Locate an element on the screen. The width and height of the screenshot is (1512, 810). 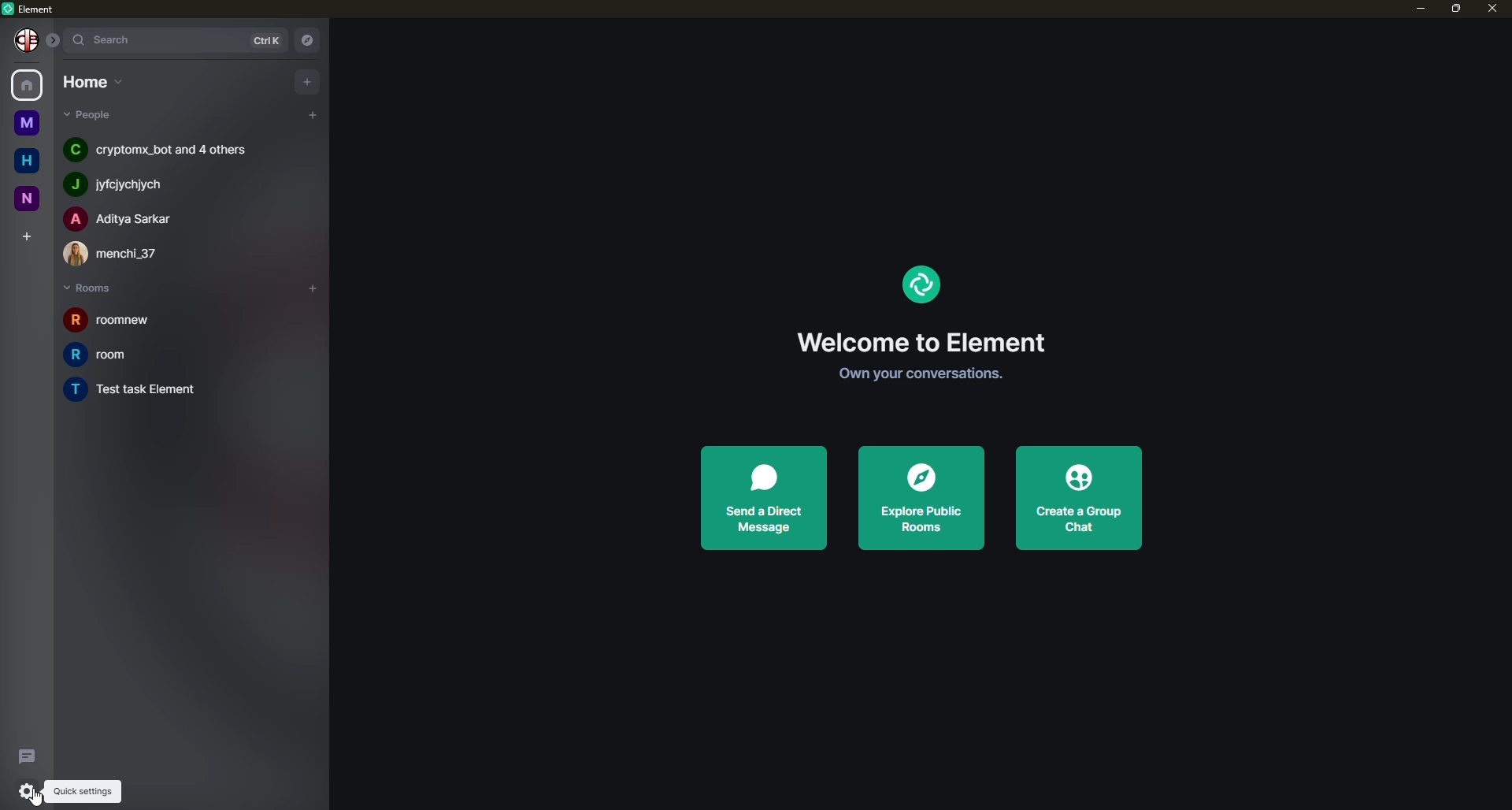
home is located at coordinates (24, 158).